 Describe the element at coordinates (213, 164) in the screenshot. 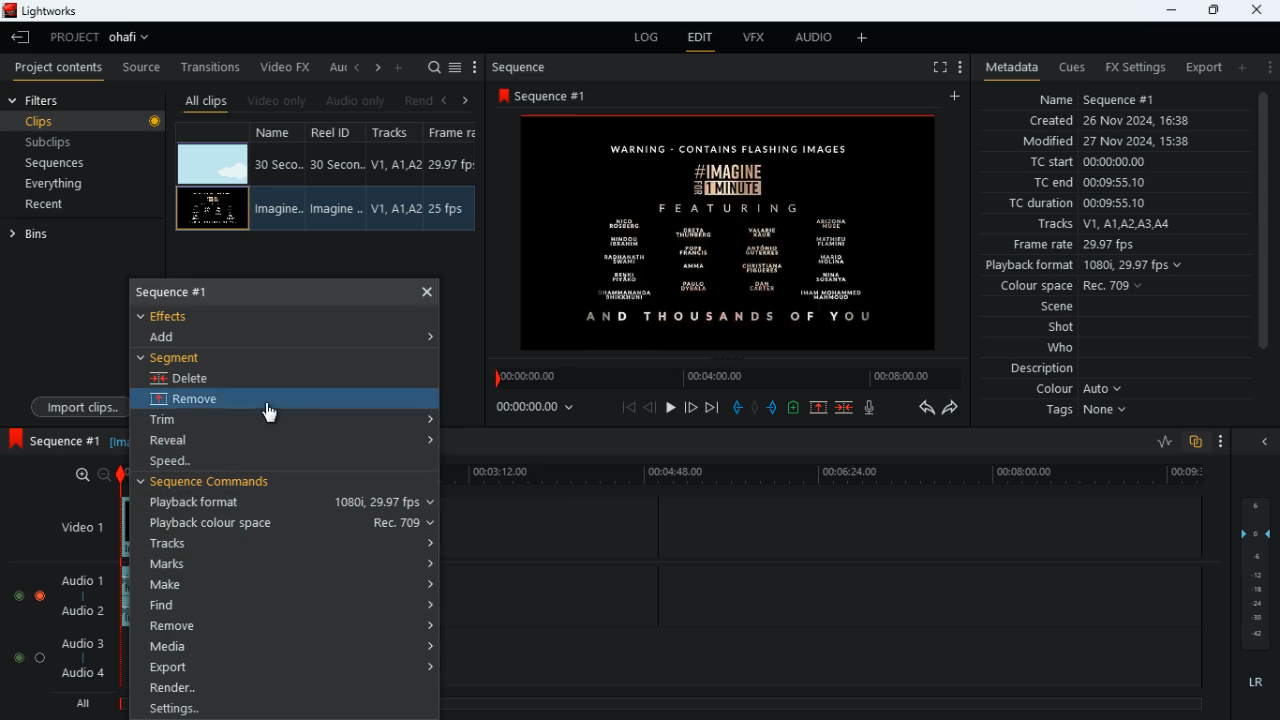

I see `videos` at that location.